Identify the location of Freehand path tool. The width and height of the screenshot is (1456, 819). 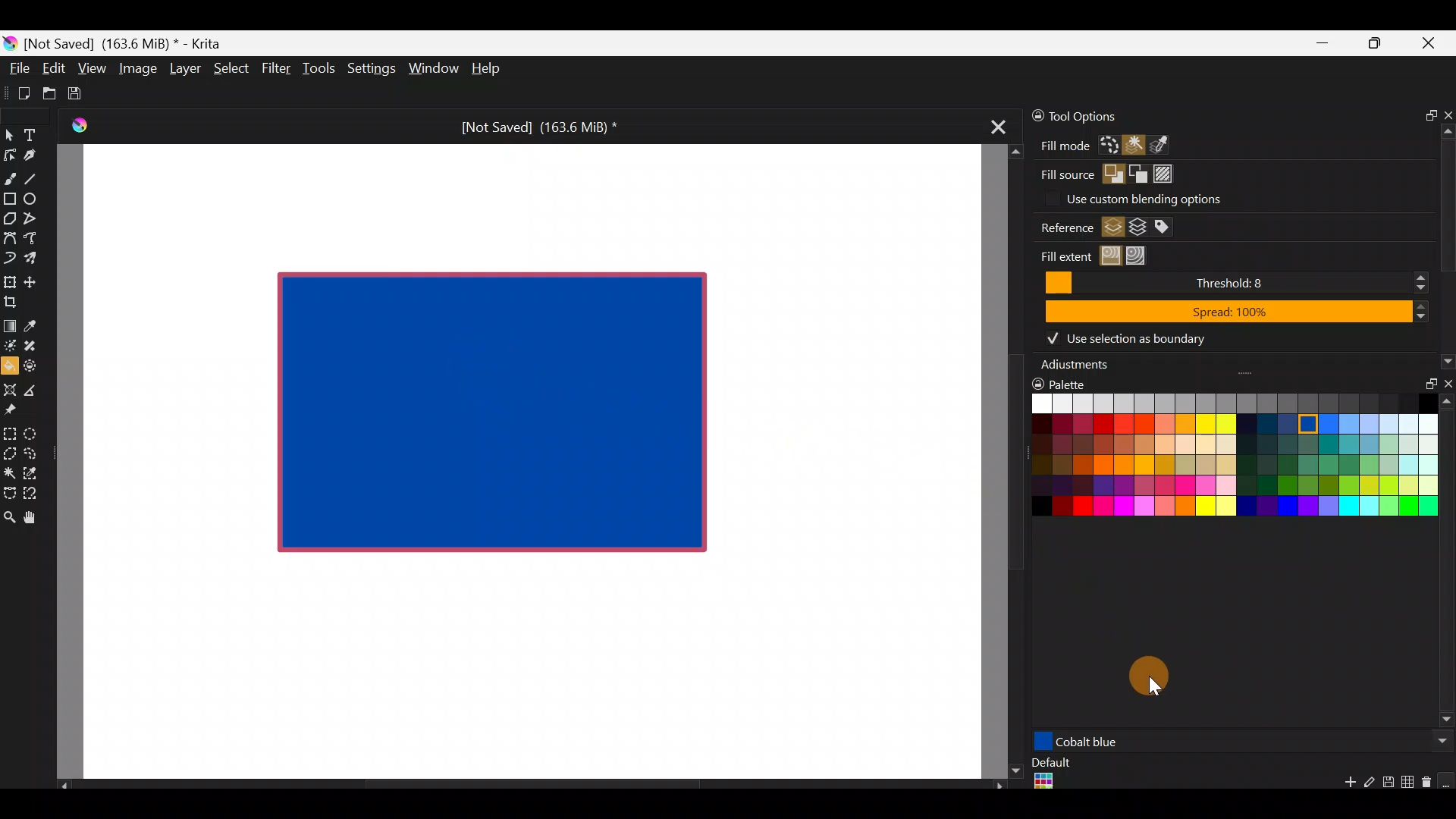
(34, 237).